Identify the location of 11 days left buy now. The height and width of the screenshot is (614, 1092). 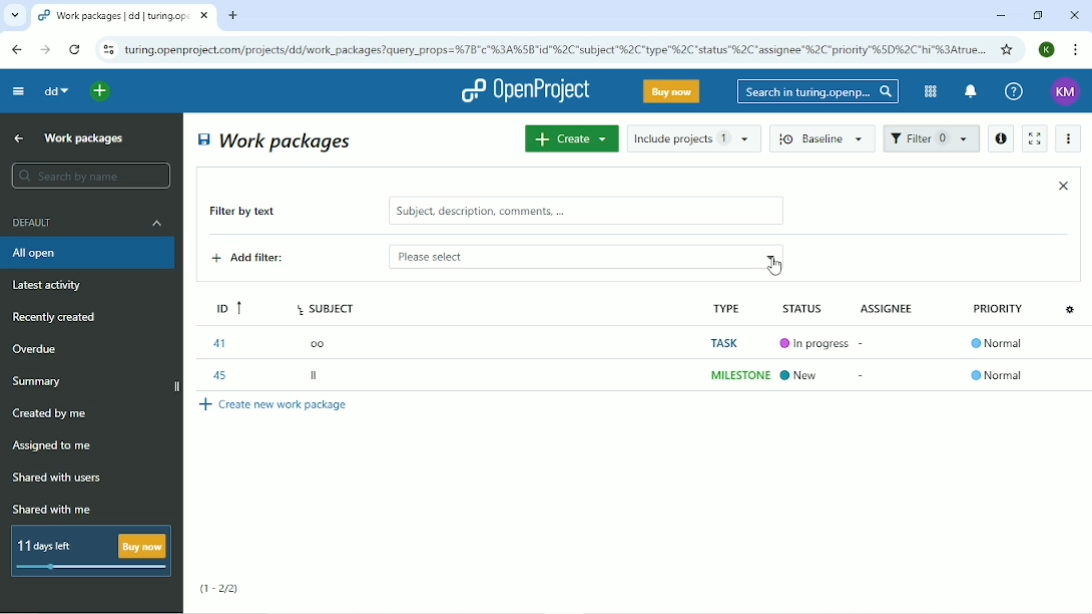
(89, 551).